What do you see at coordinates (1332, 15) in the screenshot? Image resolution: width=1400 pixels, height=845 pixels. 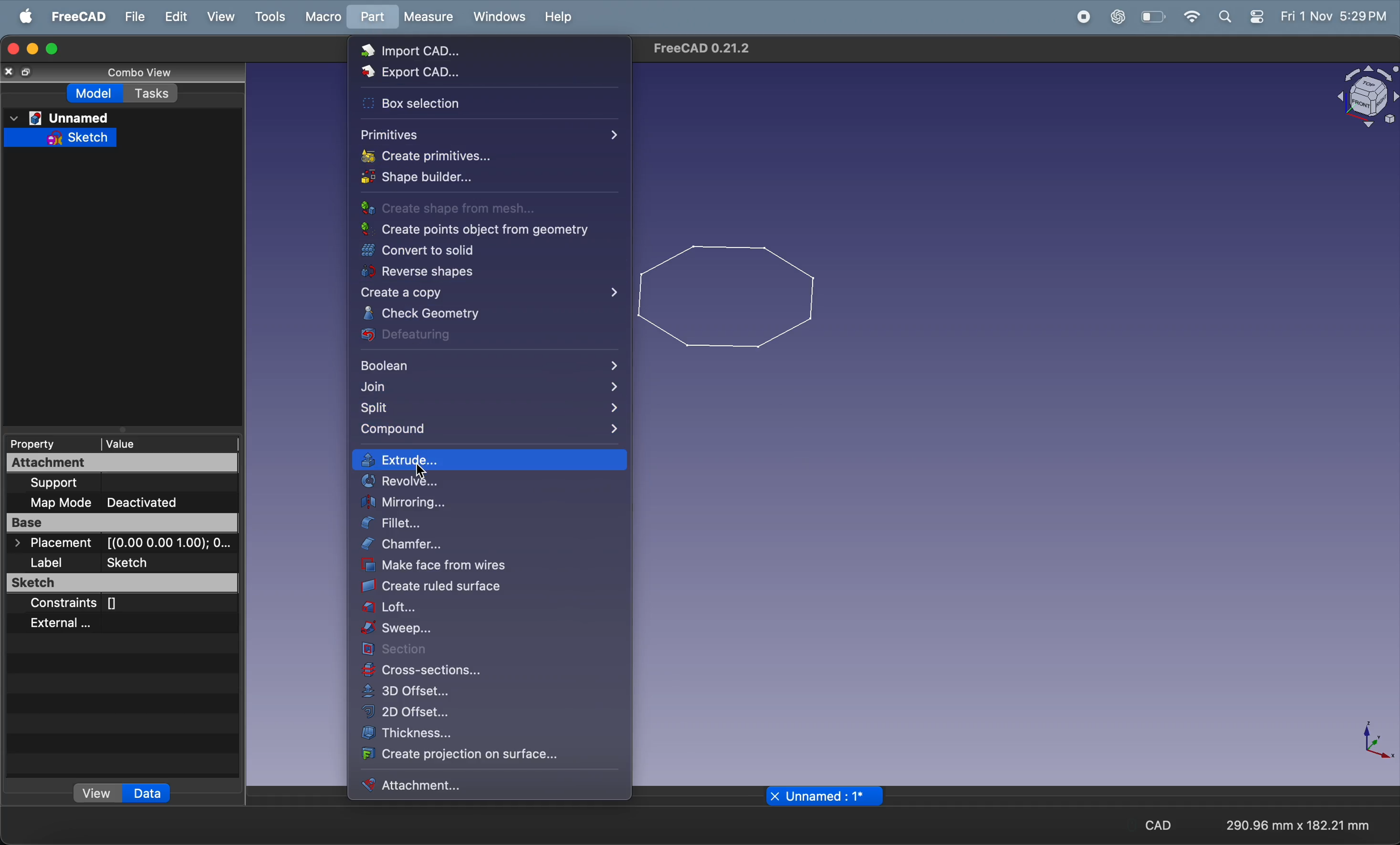 I see `time and date` at bounding box center [1332, 15].